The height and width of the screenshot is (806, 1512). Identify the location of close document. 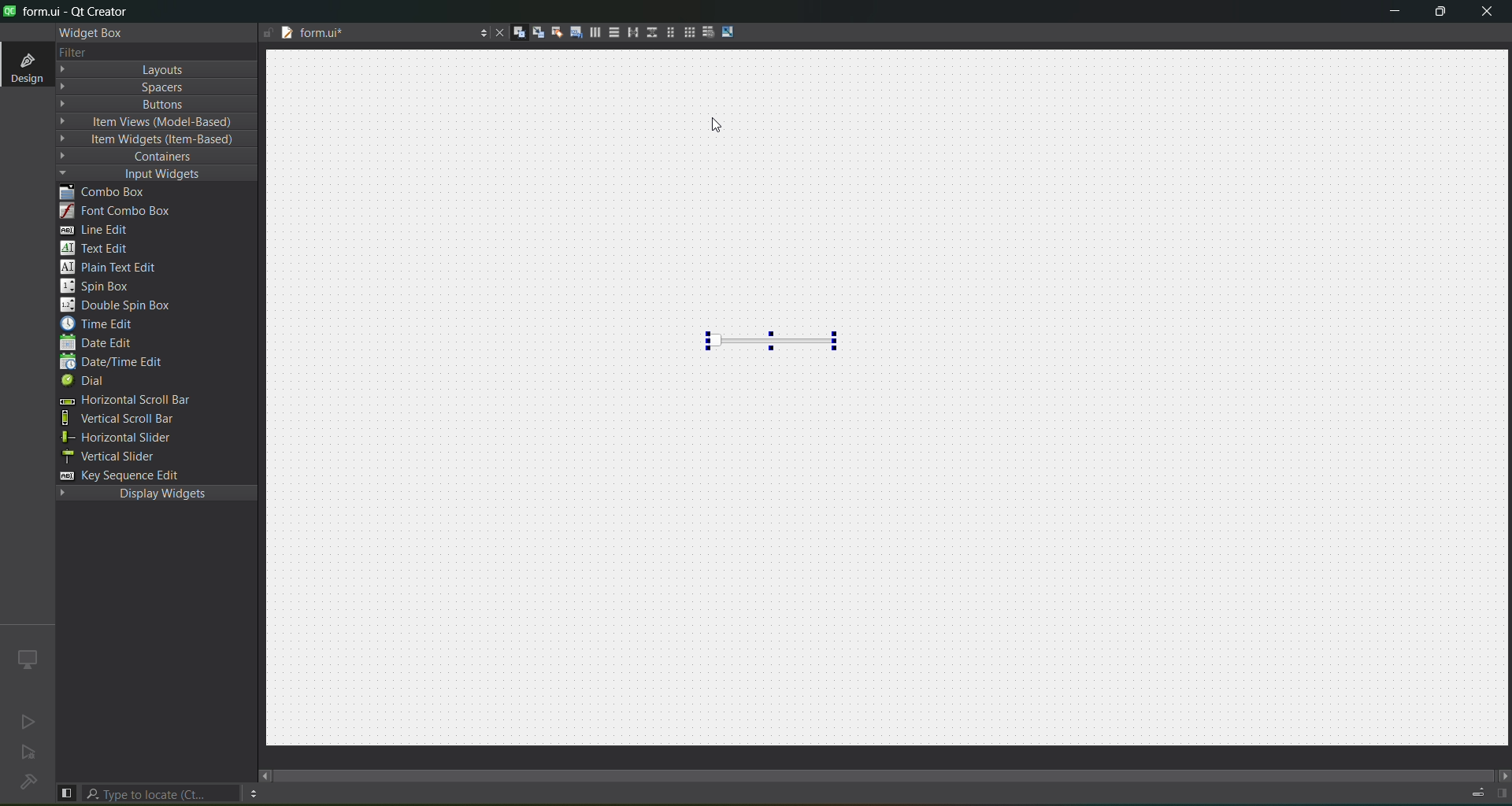
(498, 31).